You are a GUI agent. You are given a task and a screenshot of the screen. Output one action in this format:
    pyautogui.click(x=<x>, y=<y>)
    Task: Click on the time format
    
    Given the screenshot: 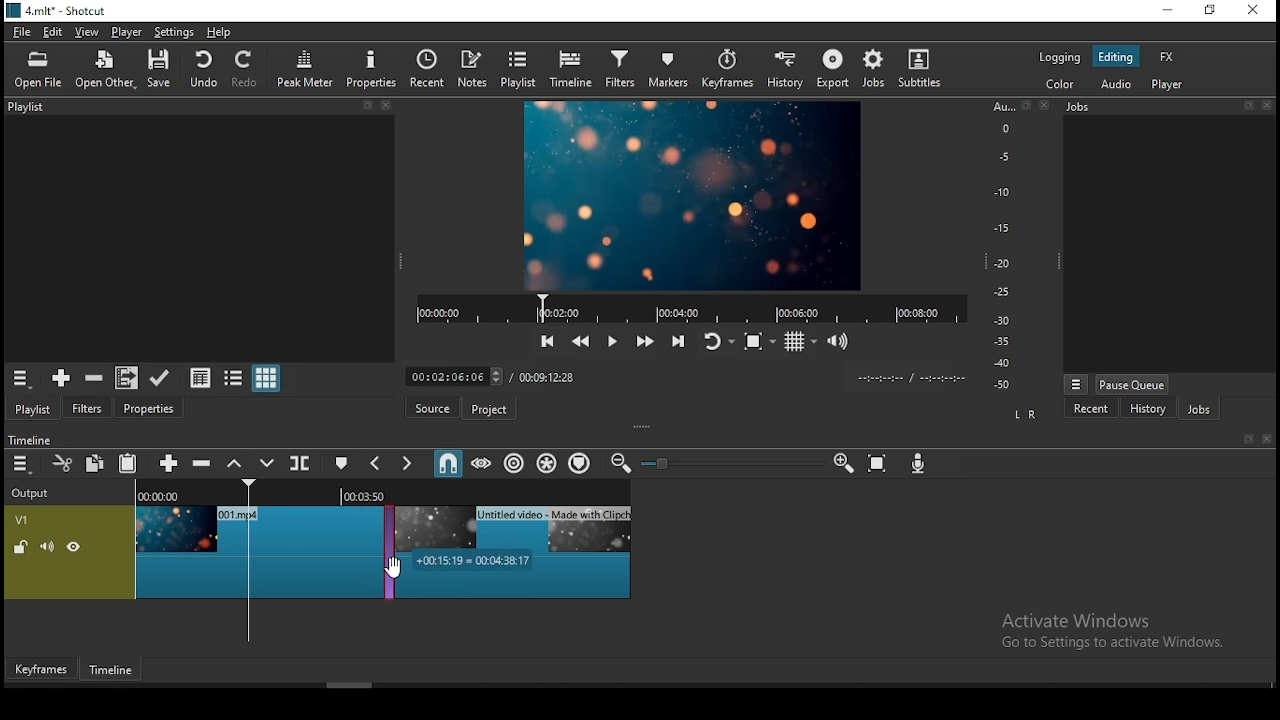 What is the action you would take?
    pyautogui.click(x=910, y=376)
    